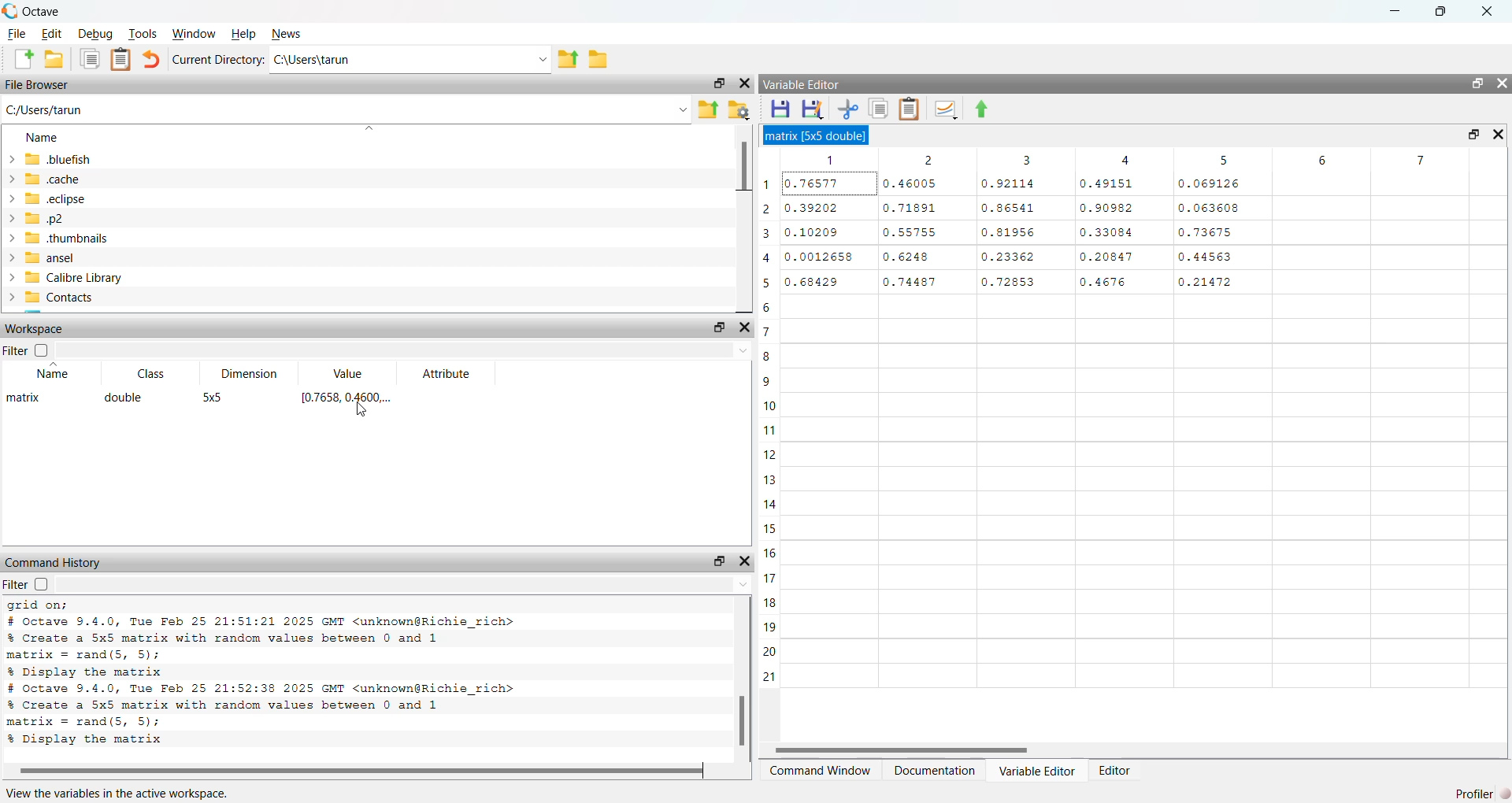  What do you see at coordinates (1492, 12) in the screenshot?
I see `close` at bounding box center [1492, 12].